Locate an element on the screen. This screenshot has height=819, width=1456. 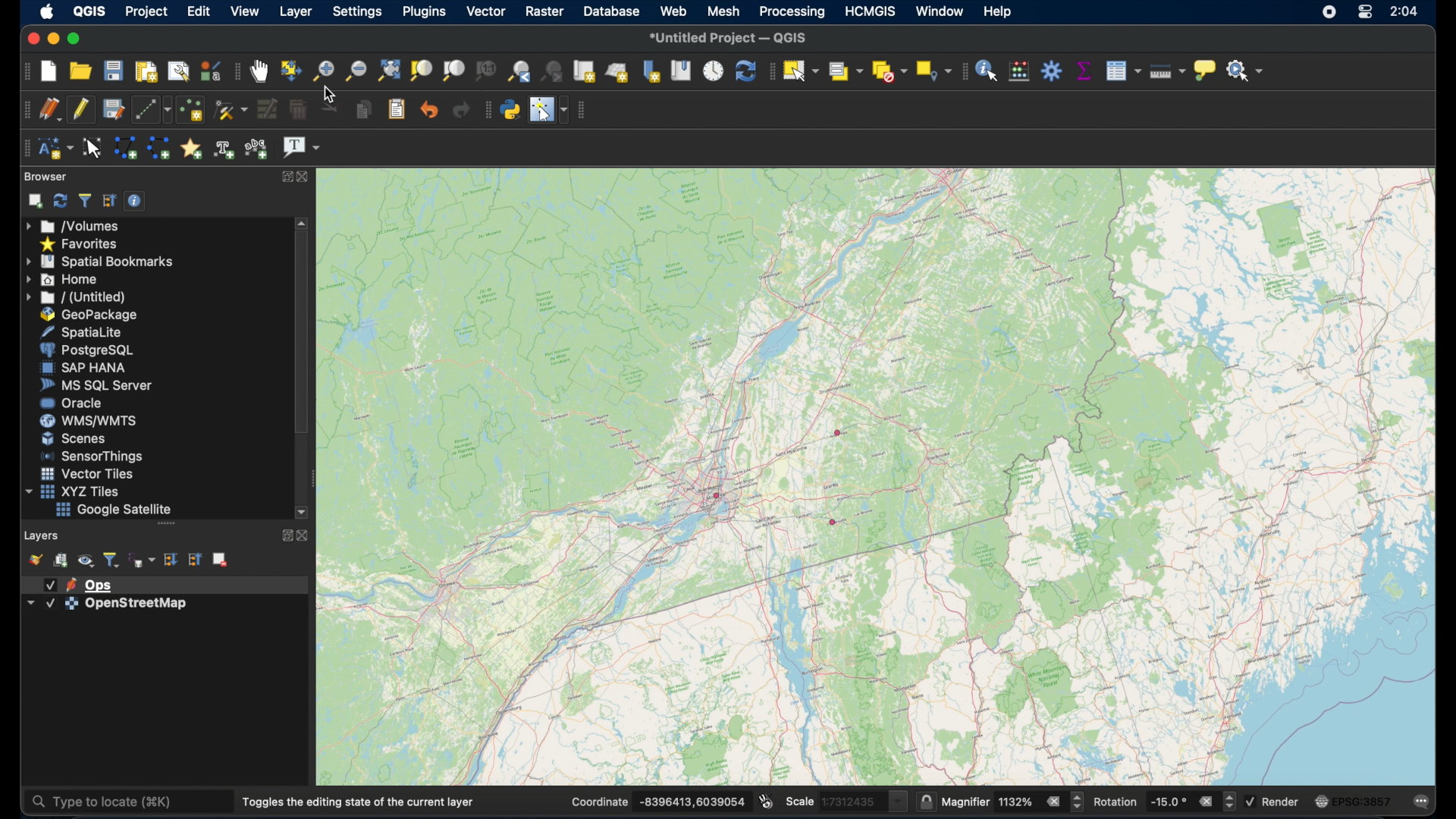
selection toolbar is located at coordinates (770, 71).